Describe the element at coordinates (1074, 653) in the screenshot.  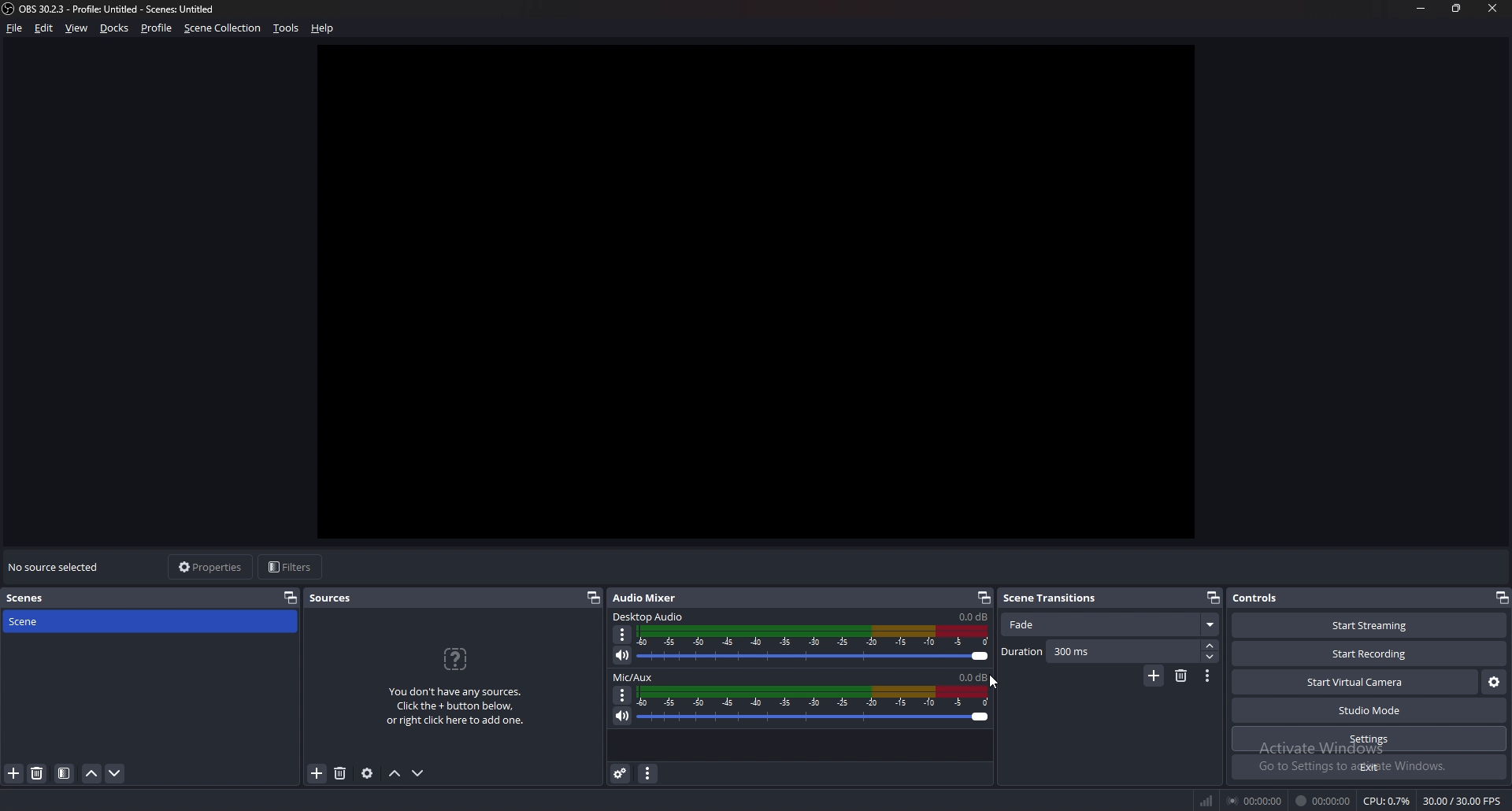
I see `duration` at that location.